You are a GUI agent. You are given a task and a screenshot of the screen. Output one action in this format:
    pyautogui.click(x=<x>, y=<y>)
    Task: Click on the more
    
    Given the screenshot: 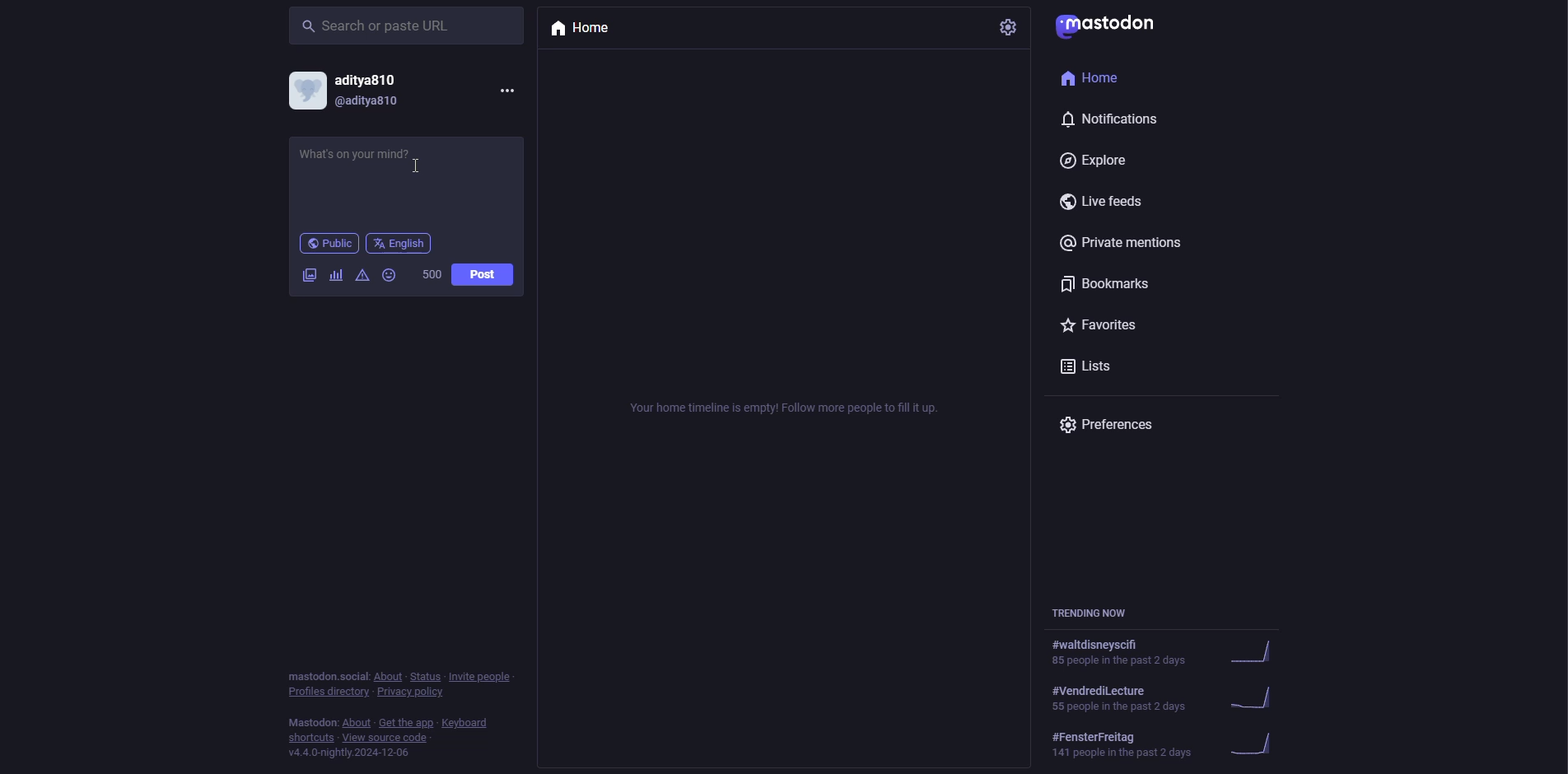 What is the action you would take?
    pyautogui.click(x=506, y=89)
    